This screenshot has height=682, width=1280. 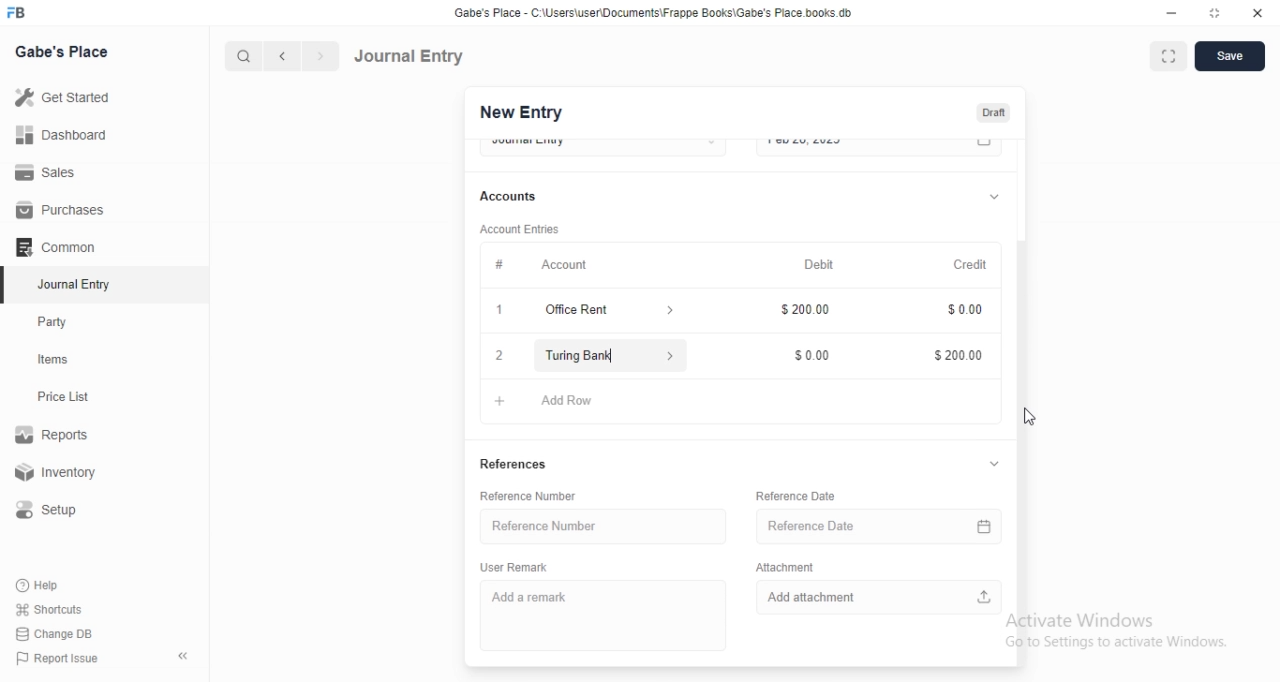 I want to click on $200.00, so click(x=802, y=311).